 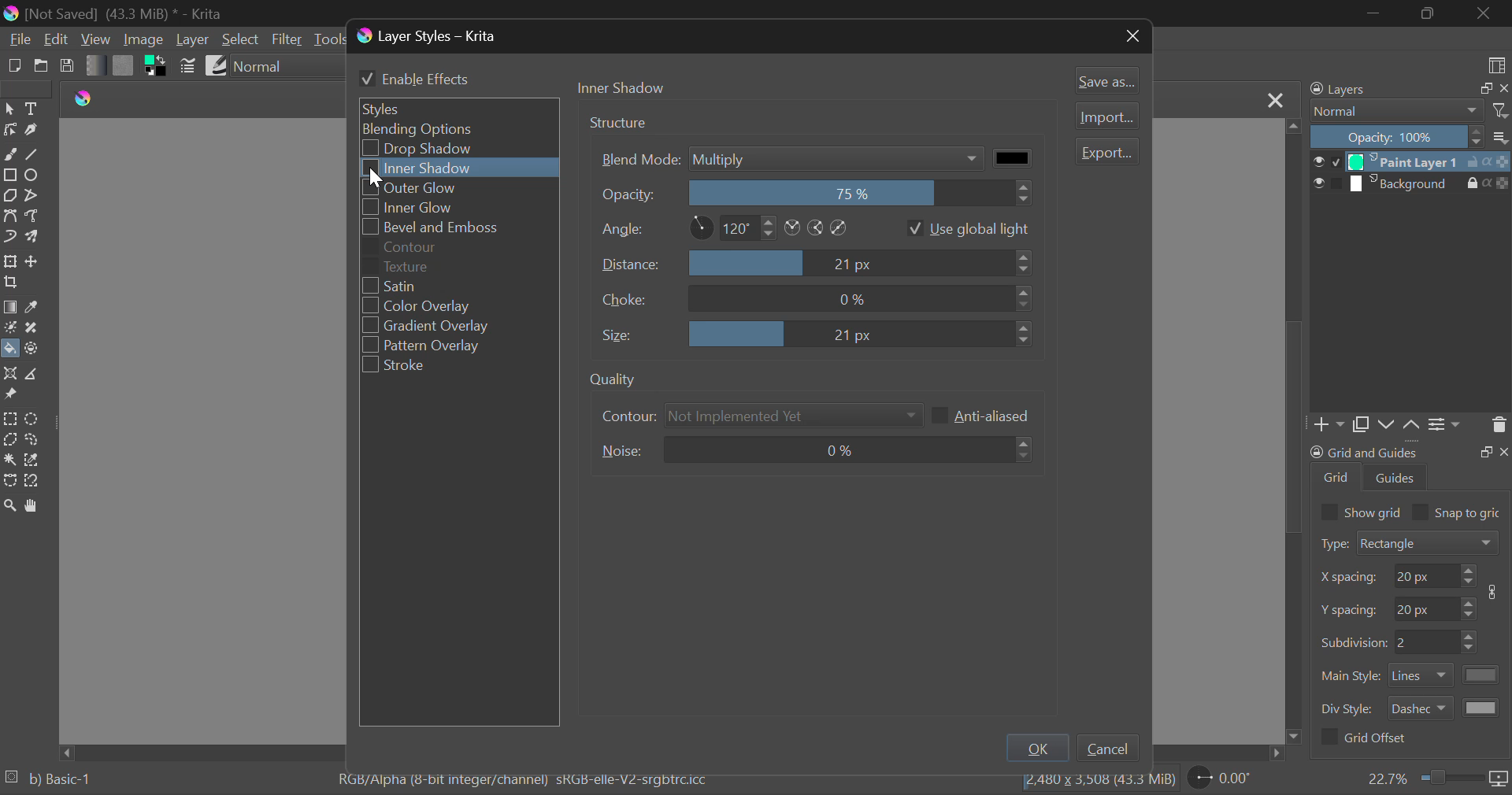 I want to click on Drop Shadow, so click(x=457, y=146).